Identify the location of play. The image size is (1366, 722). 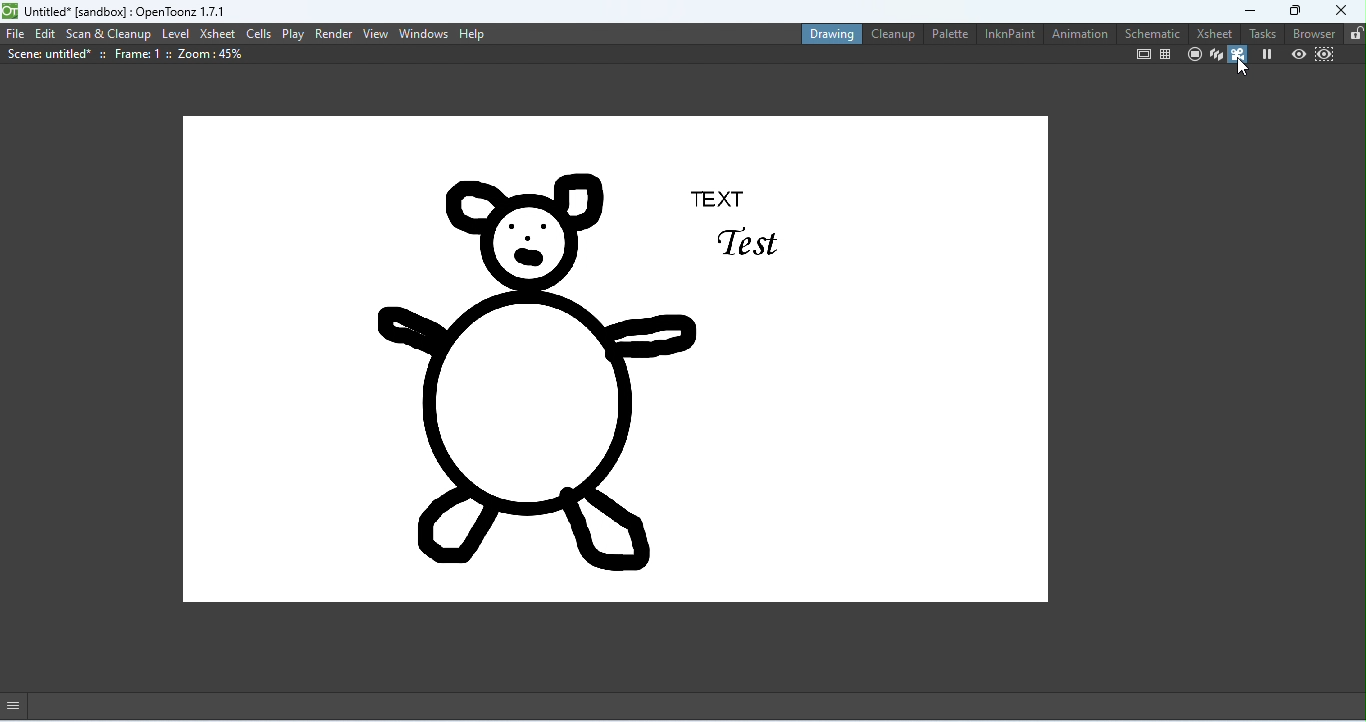
(295, 34).